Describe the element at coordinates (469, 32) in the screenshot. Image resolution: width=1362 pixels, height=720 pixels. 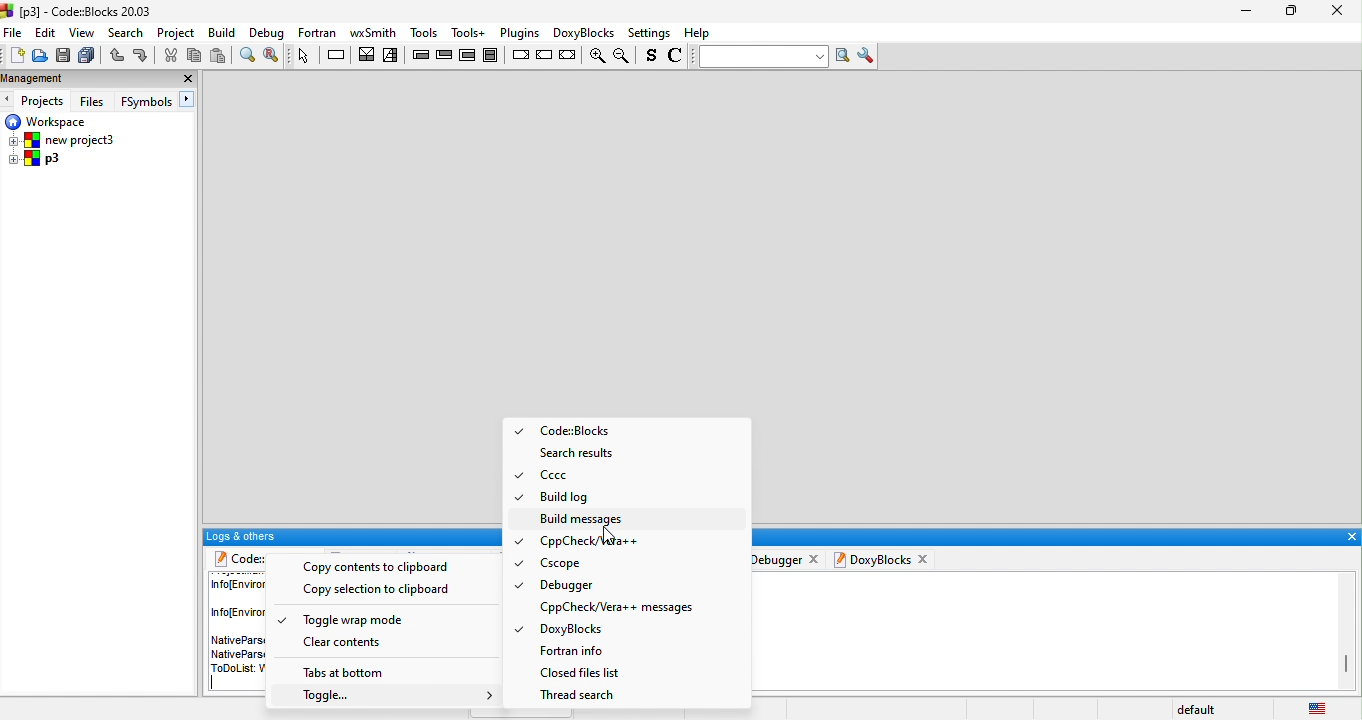
I see `tools` at that location.